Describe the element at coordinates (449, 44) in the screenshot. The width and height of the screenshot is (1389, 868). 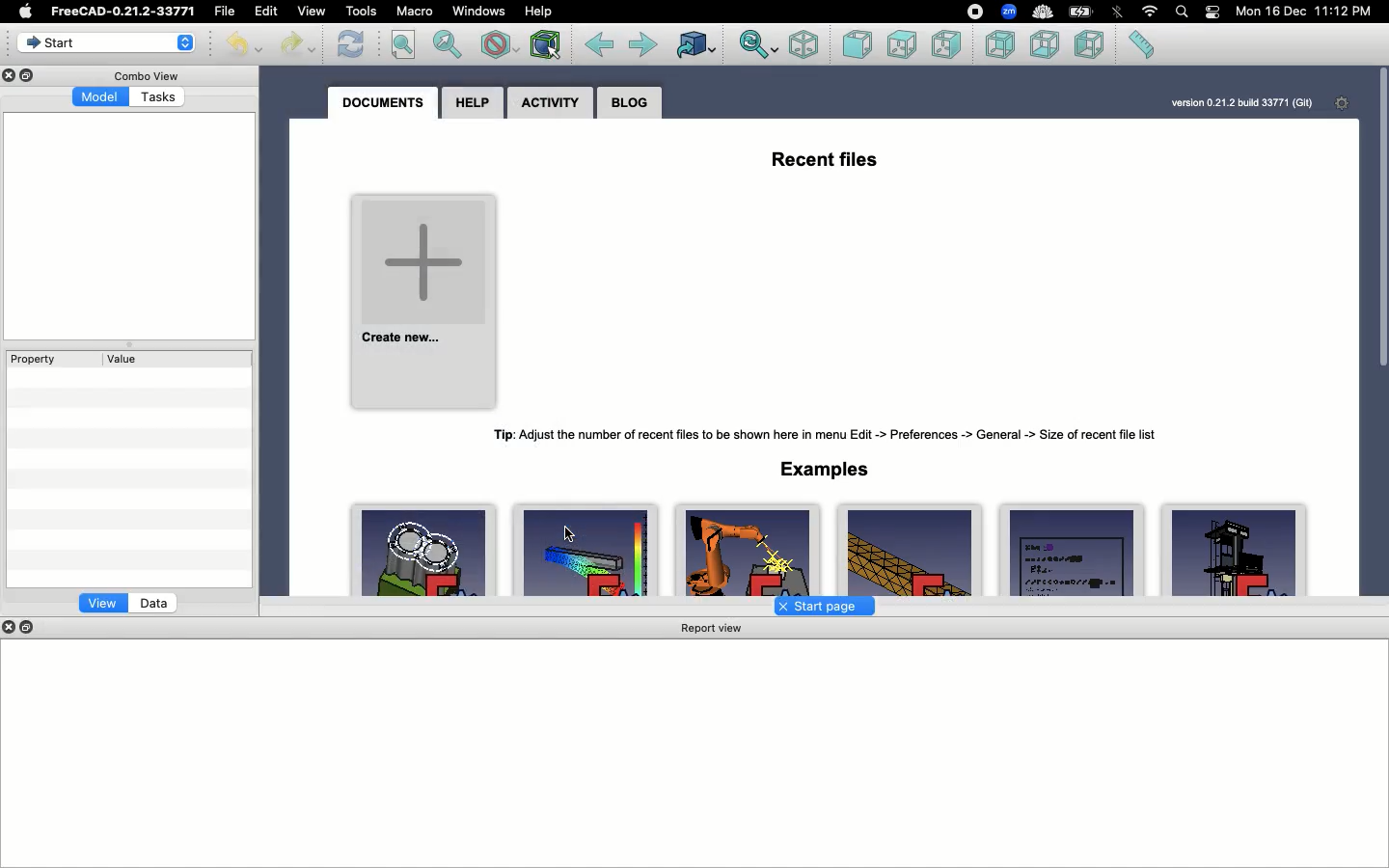
I see `Fit selection` at that location.